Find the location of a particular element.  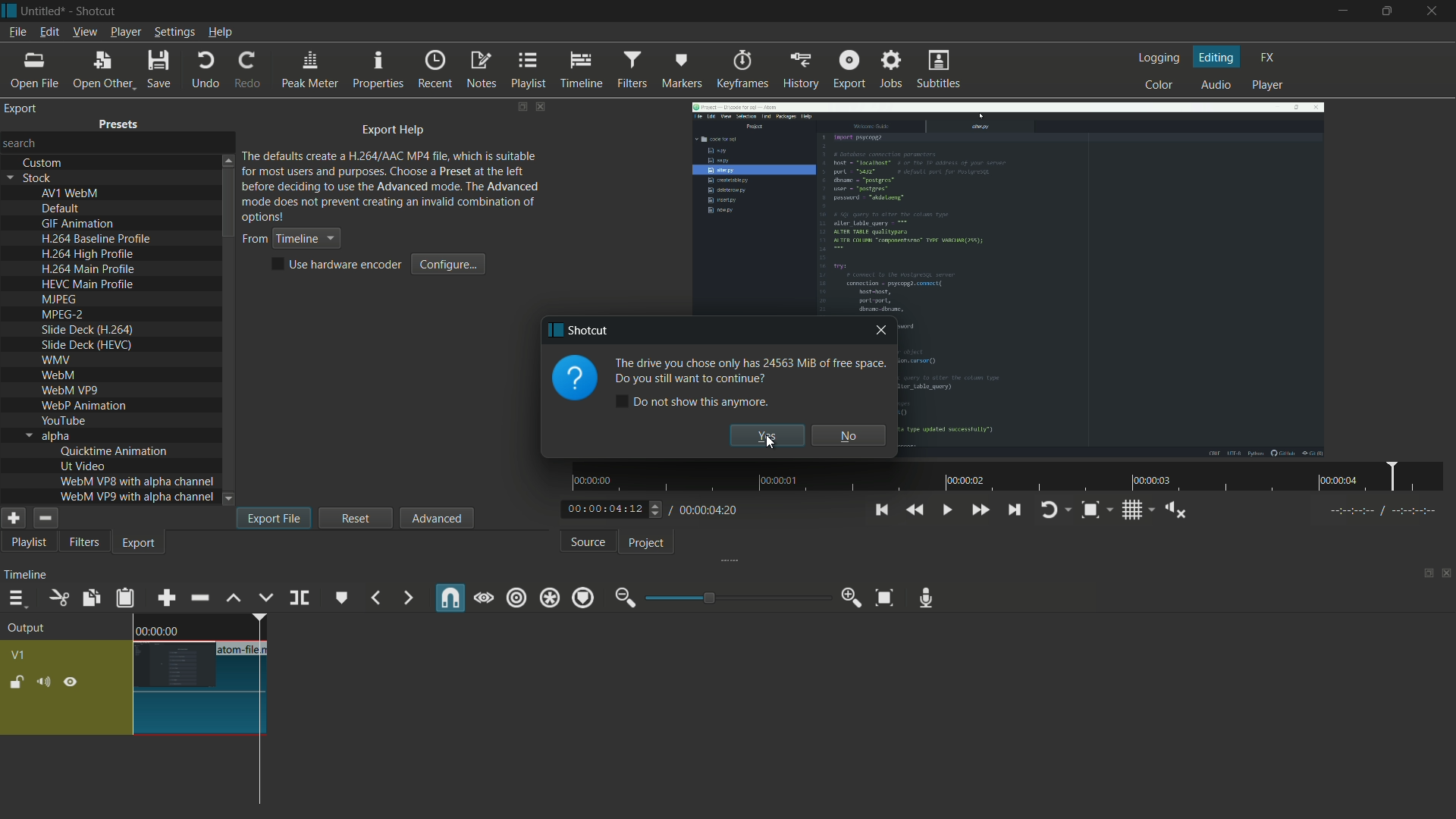

webm vp8 with alpha channel is located at coordinates (137, 481).